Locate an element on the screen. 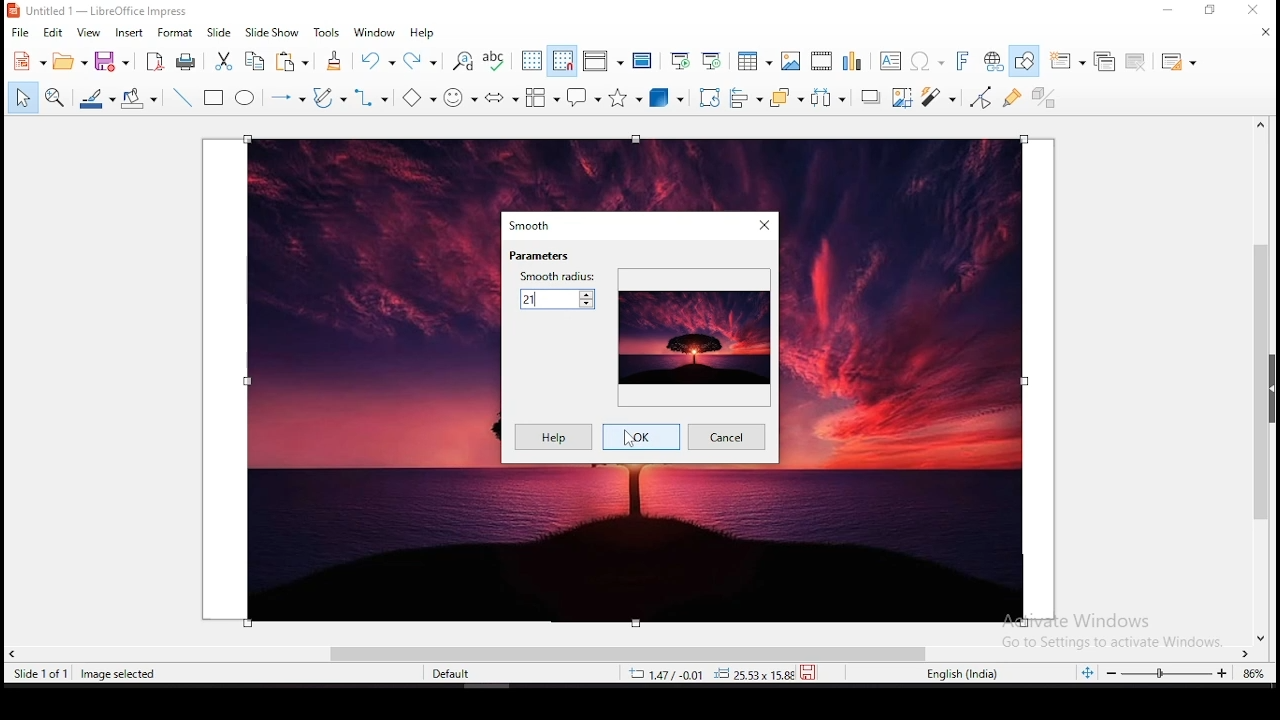 This screenshot has height=720, width=1280. delete slide is located at coordinates (1136, 61).